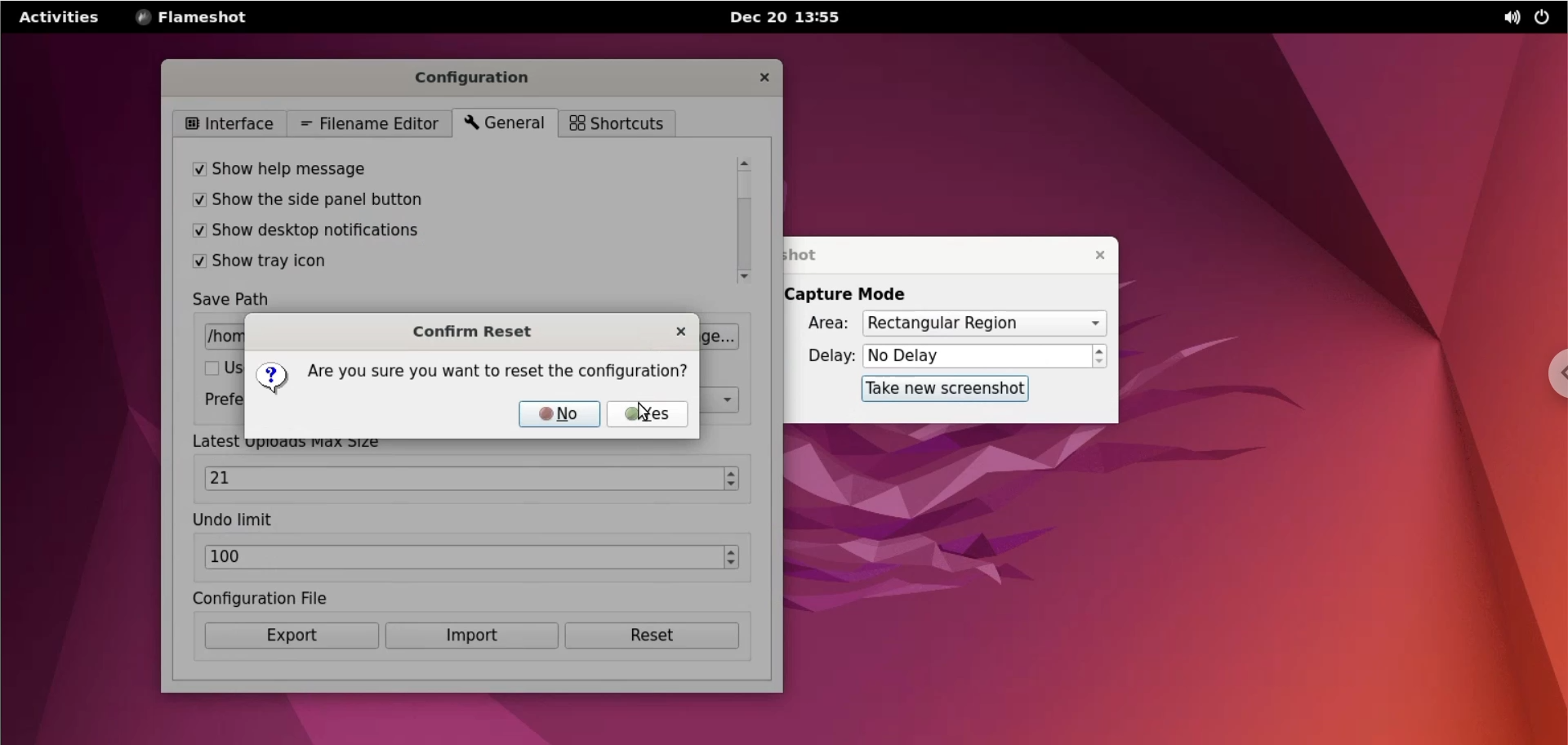 The width and height of the screenshot is (1568, 745). I want to click on undo limit text box, so click(463, 560).